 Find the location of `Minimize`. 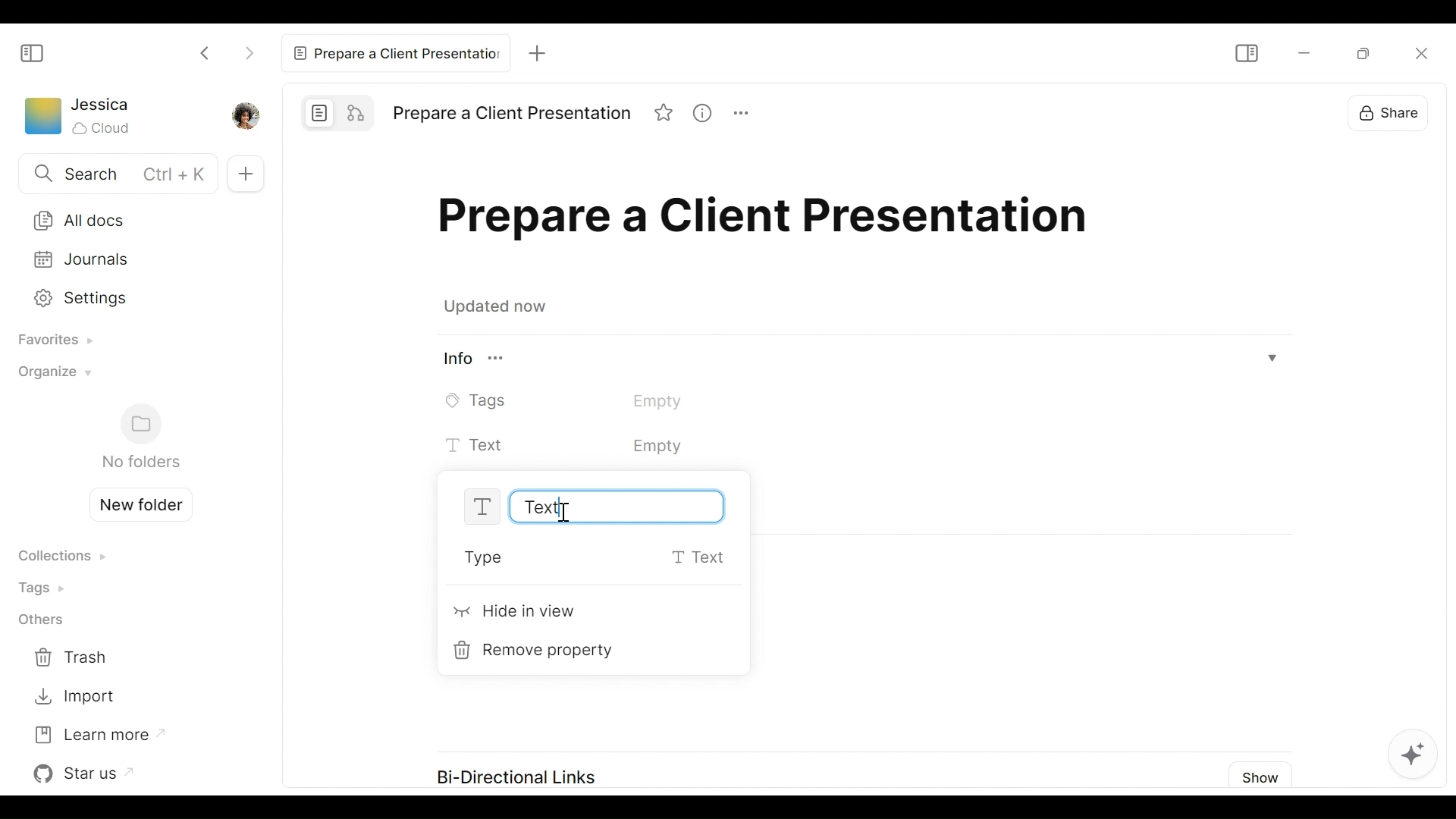

Minimize is located at coordinates (1368, 55).